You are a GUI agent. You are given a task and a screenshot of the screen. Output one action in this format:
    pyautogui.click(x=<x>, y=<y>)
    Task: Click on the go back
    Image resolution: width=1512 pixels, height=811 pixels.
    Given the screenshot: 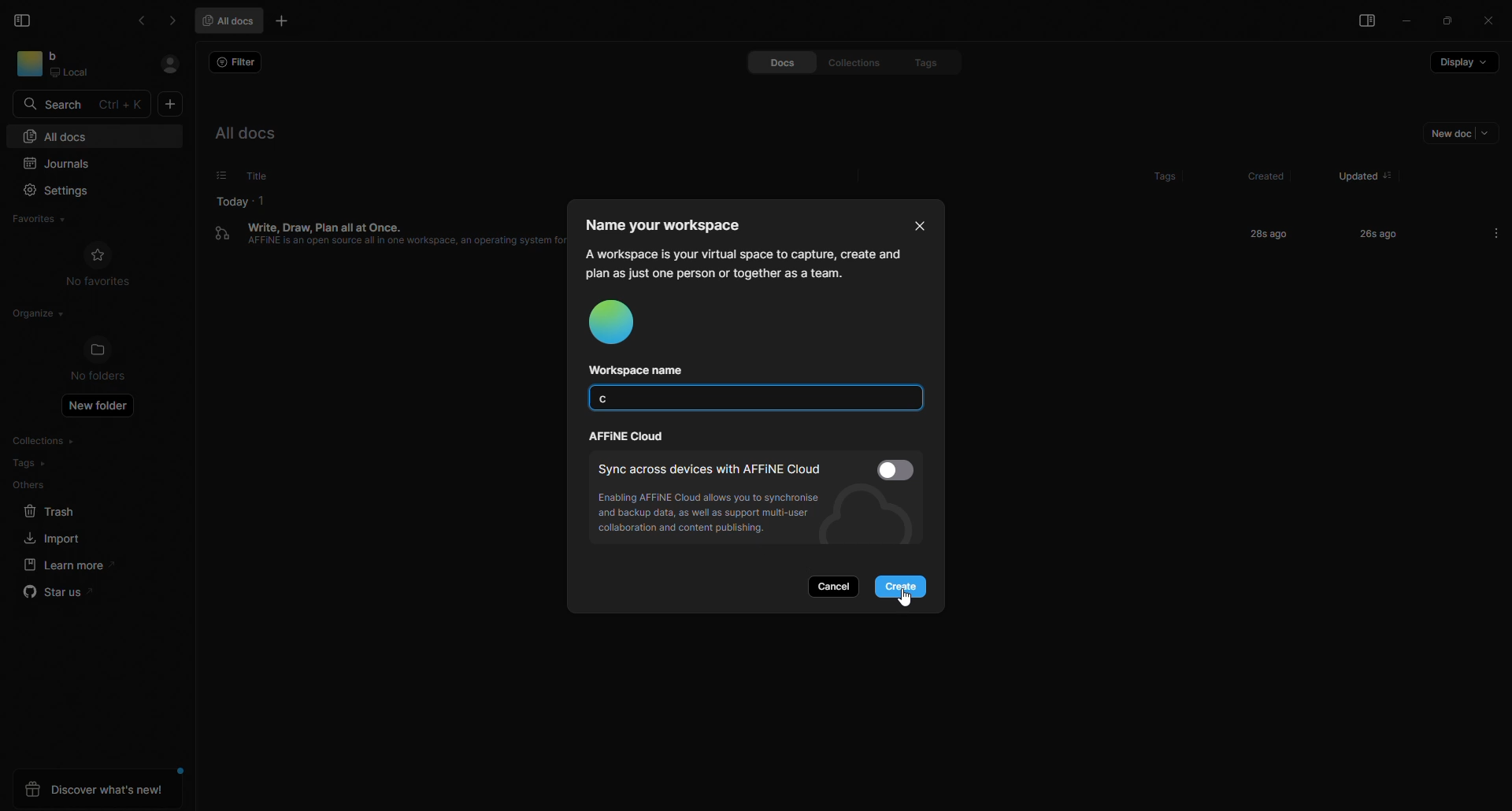 What is the action you would take?
    pyautogui.click(x=144, y=20)
    